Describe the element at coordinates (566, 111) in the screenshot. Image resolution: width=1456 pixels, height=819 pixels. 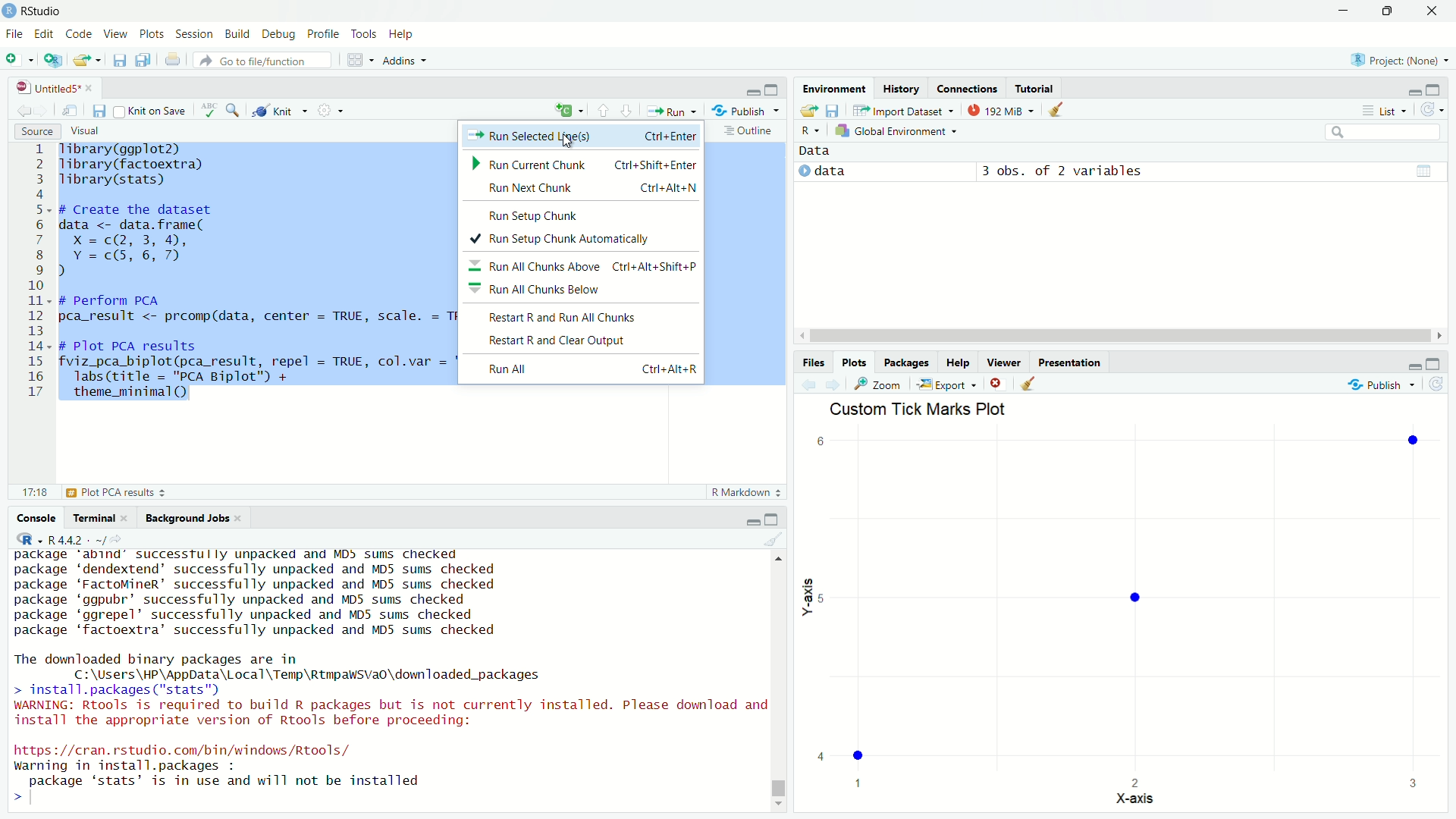
I see `language select` at that location.